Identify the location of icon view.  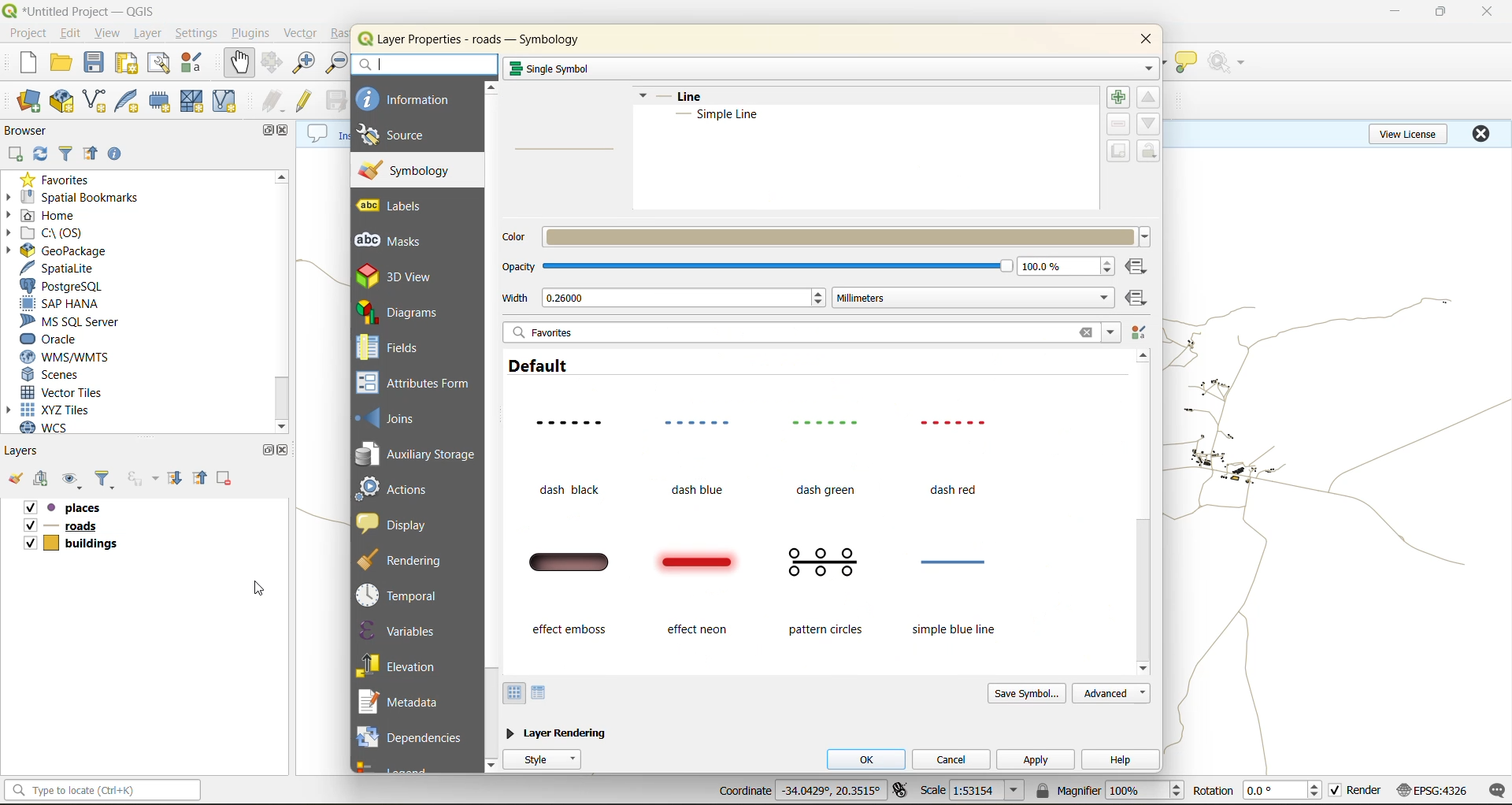
(514, 694).